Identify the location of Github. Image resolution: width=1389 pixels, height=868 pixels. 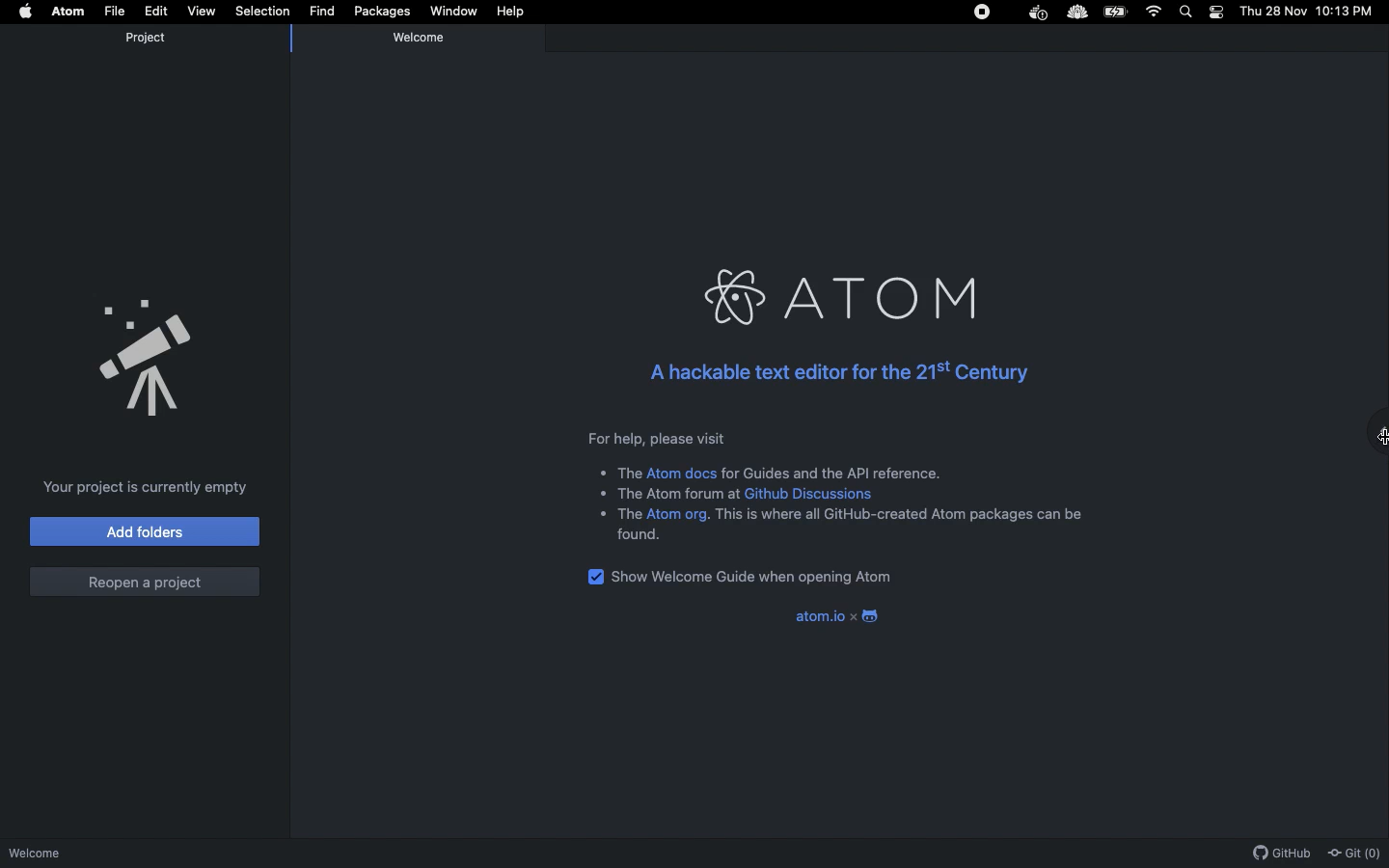
(1281, 854).